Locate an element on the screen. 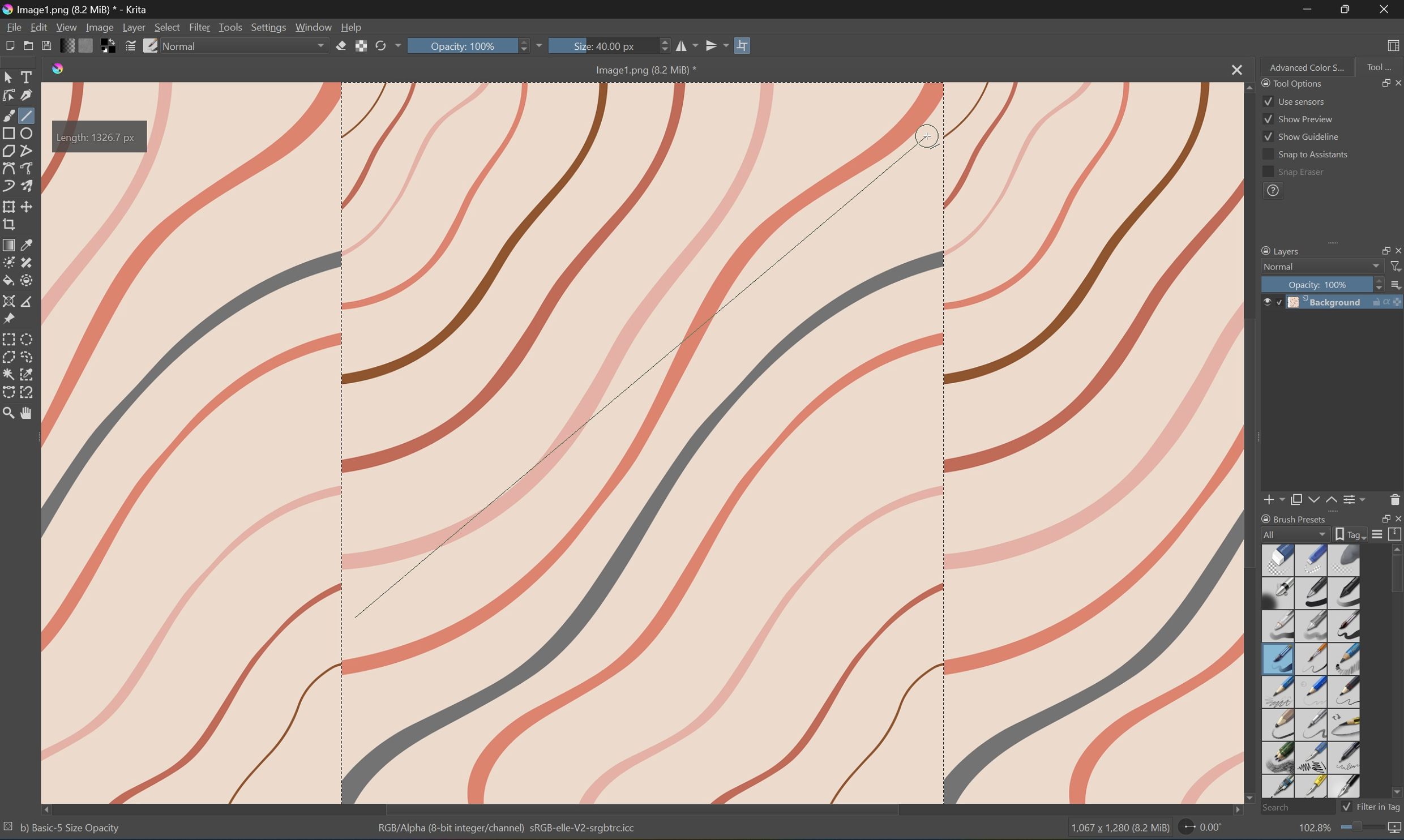 The height and width of the screenshot is (840, 1404). Size: 40.00px is located at coordinates (602, 46).